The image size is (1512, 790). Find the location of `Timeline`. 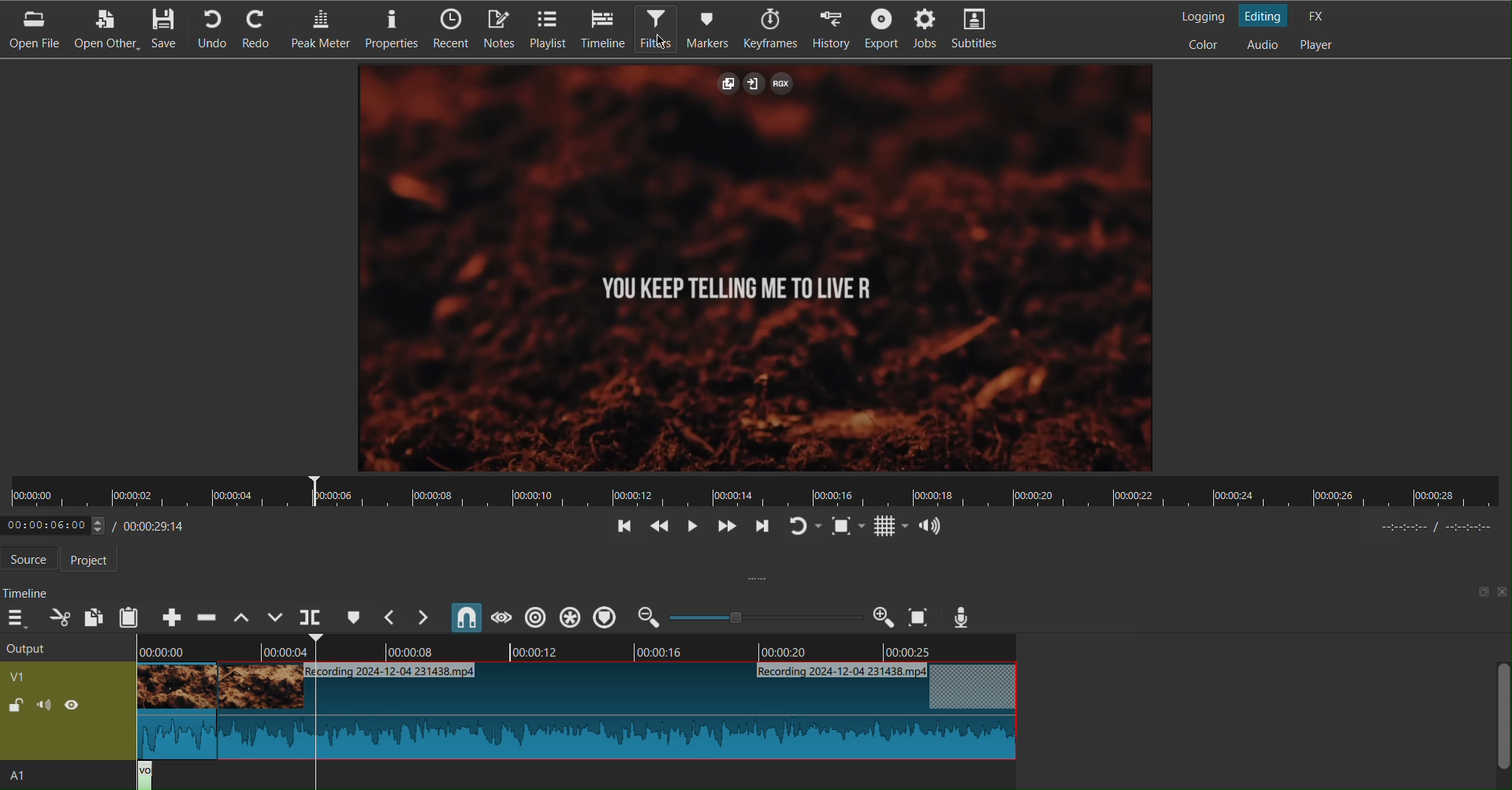

Timeline is located at coordinates (758, 491).